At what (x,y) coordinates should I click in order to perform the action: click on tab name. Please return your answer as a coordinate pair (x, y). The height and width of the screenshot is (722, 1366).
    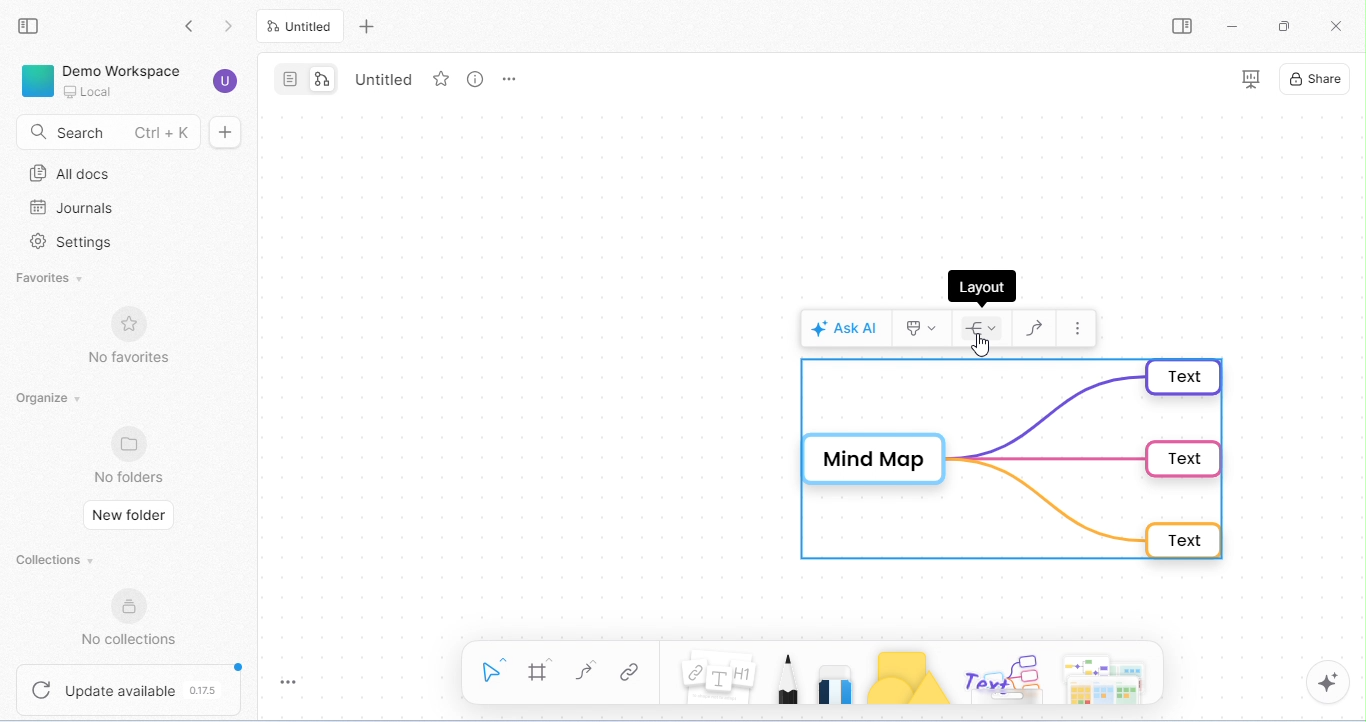
    Looking at the image, I should click on (385, 78).